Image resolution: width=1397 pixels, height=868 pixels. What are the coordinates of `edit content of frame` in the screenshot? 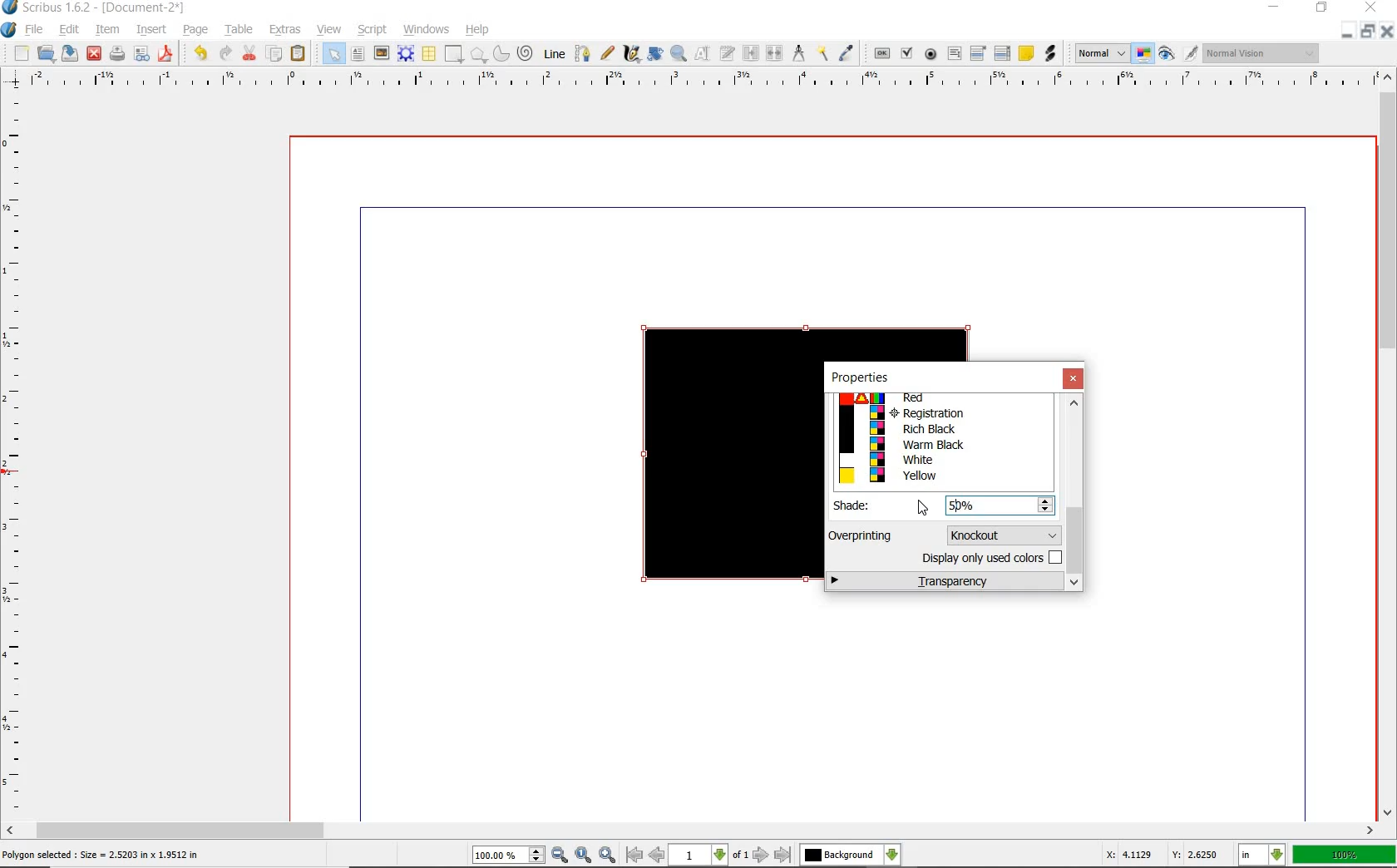 It's located at (701, 54).